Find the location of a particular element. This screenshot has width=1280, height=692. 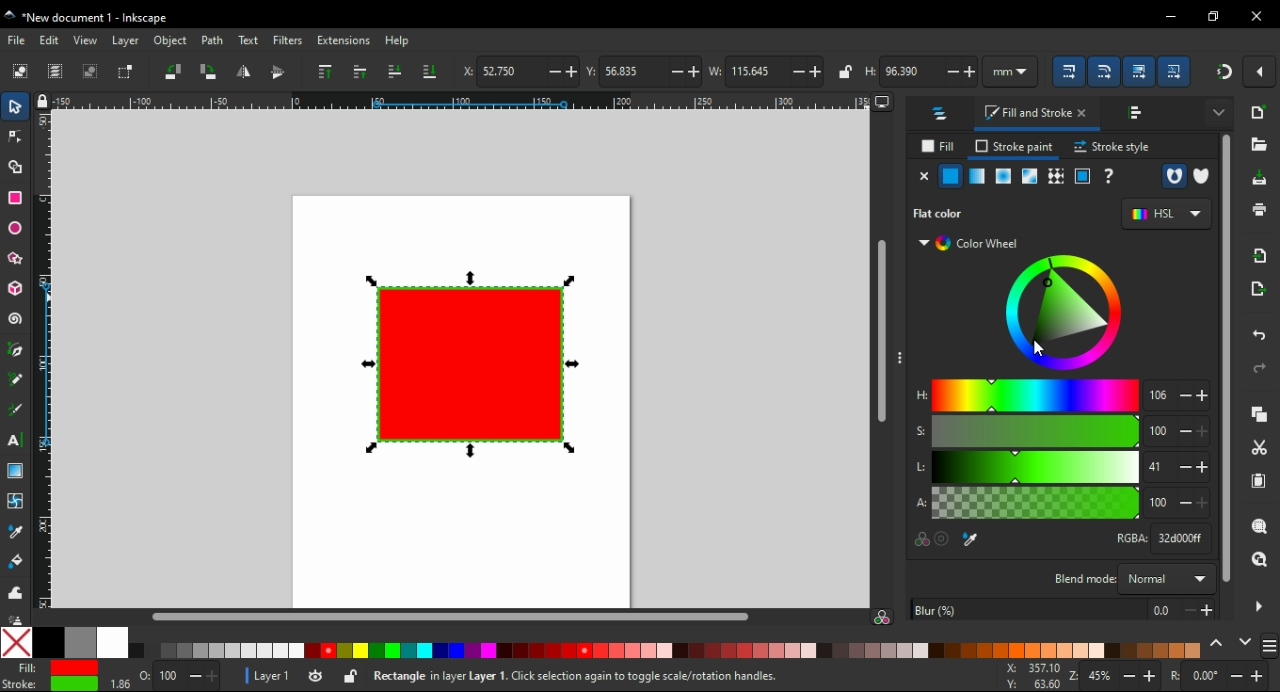

edit is located at coordinates (52, 40).